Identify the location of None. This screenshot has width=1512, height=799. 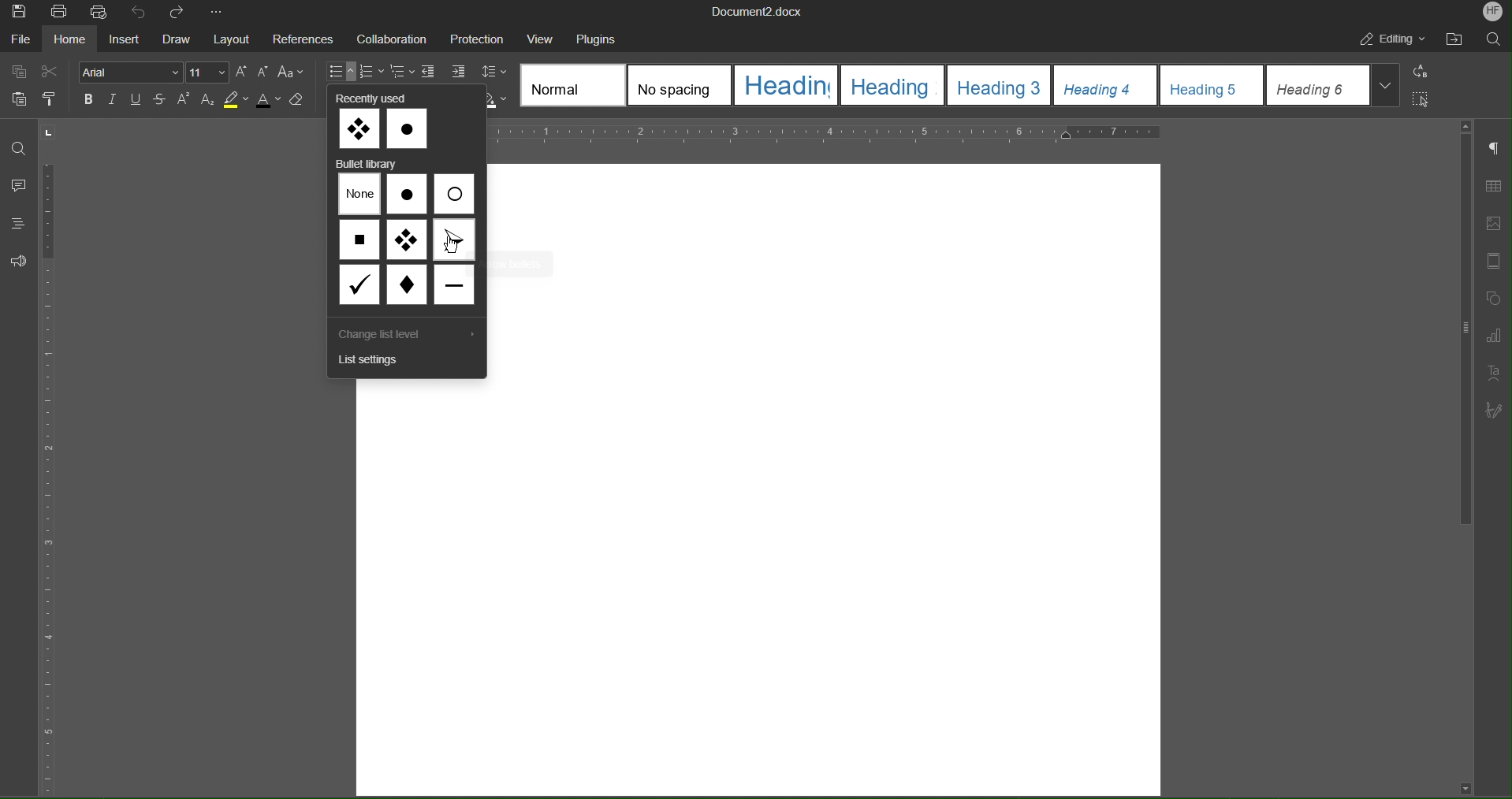
(360, 195).